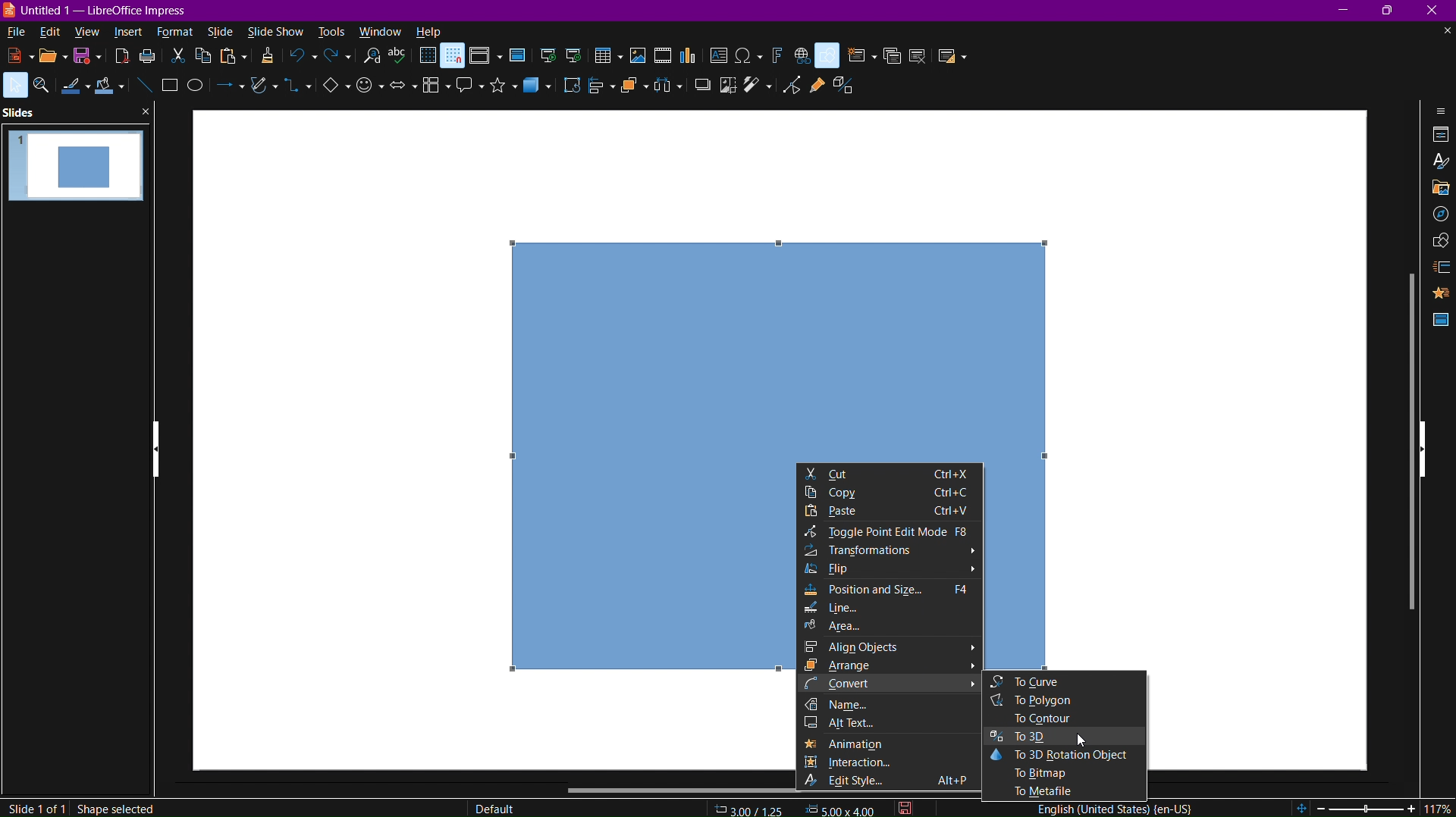 The height and width of the screenshot is (817, 1456). I want to click on Gallery, so click(1435, 189).